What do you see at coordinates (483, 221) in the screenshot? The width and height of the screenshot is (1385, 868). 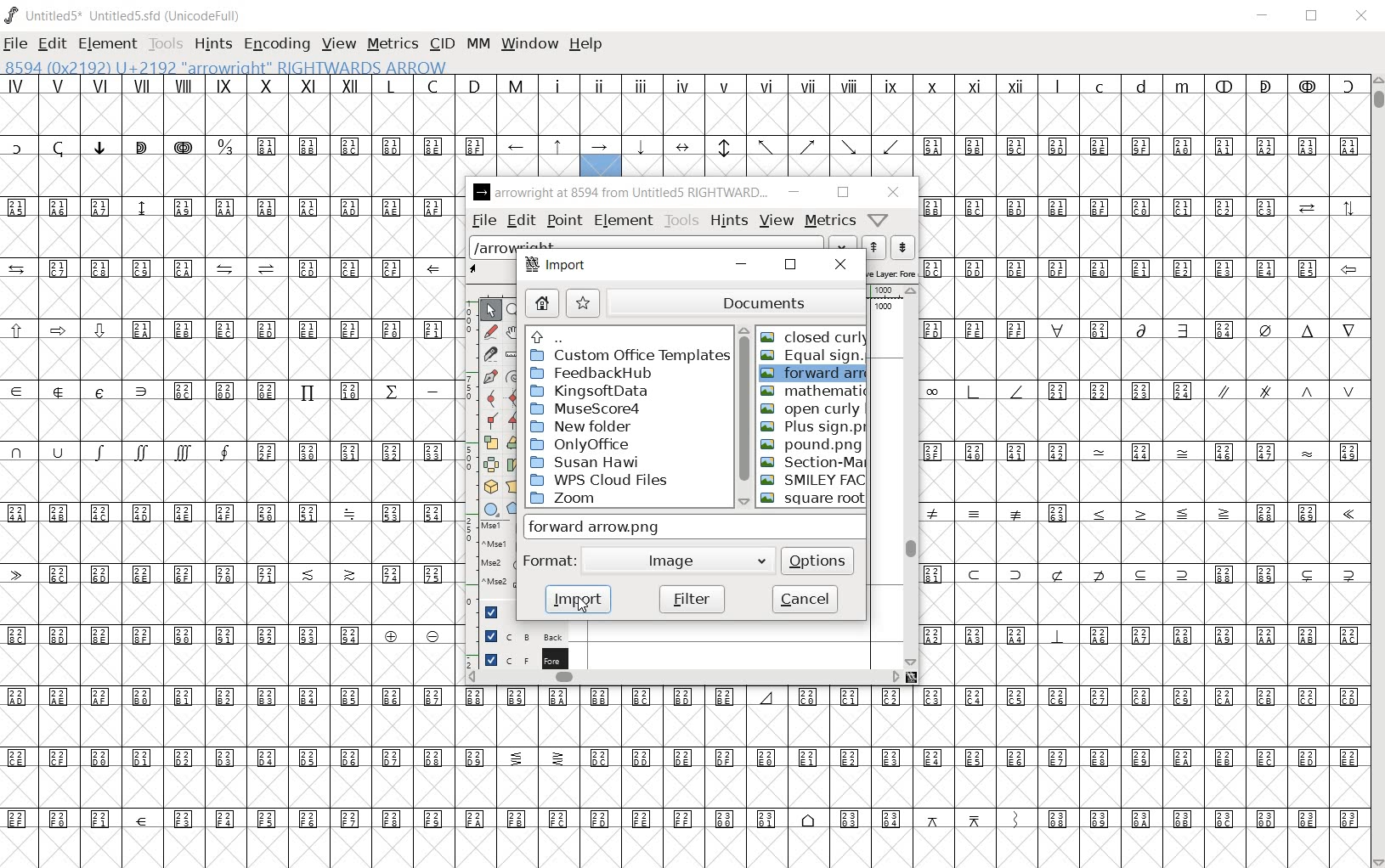 I see `file` at bounding box center [483, 221].